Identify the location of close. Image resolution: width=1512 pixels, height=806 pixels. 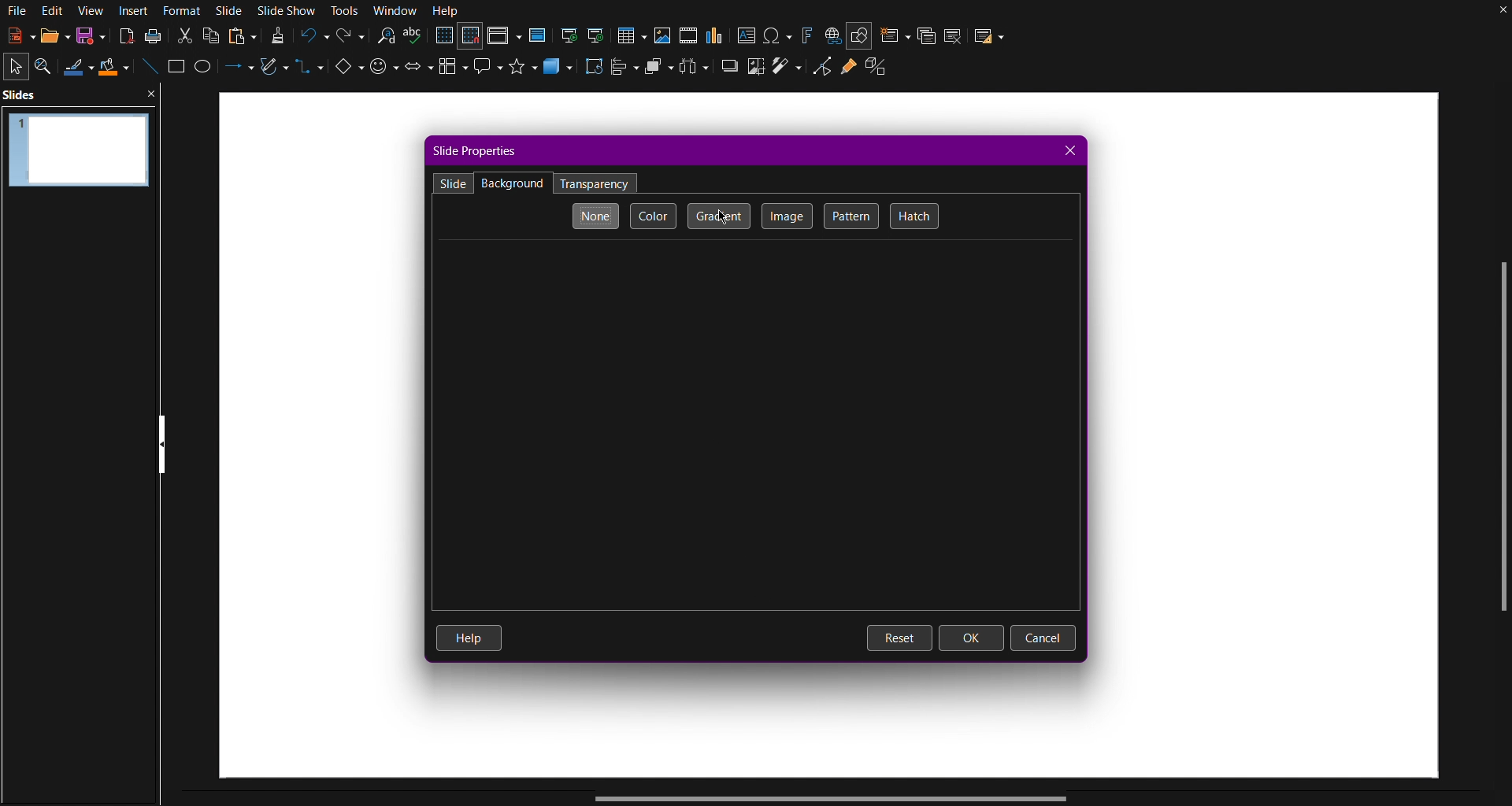
(154, 94).